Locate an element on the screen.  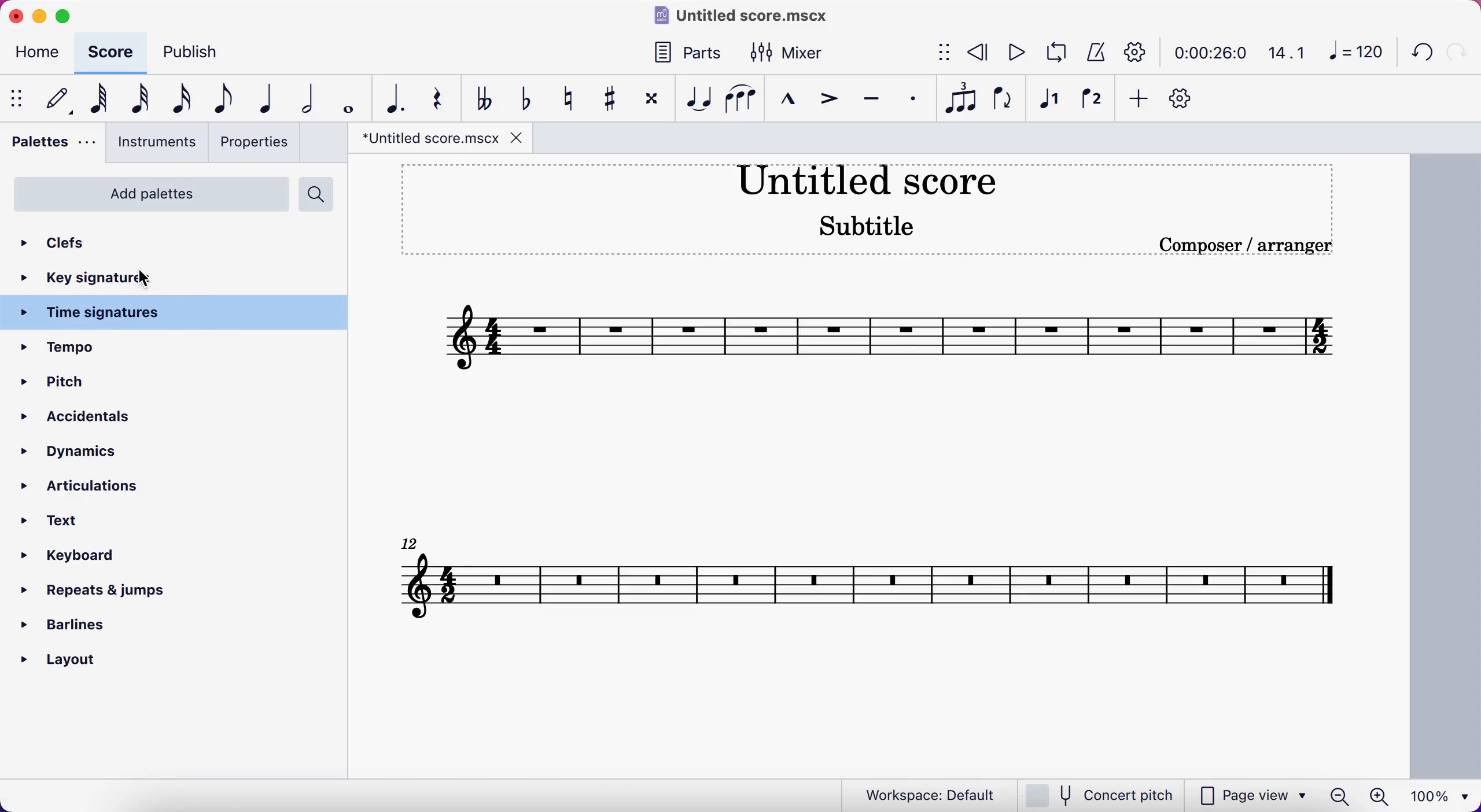
rewind is located at coordinates (978, 53).